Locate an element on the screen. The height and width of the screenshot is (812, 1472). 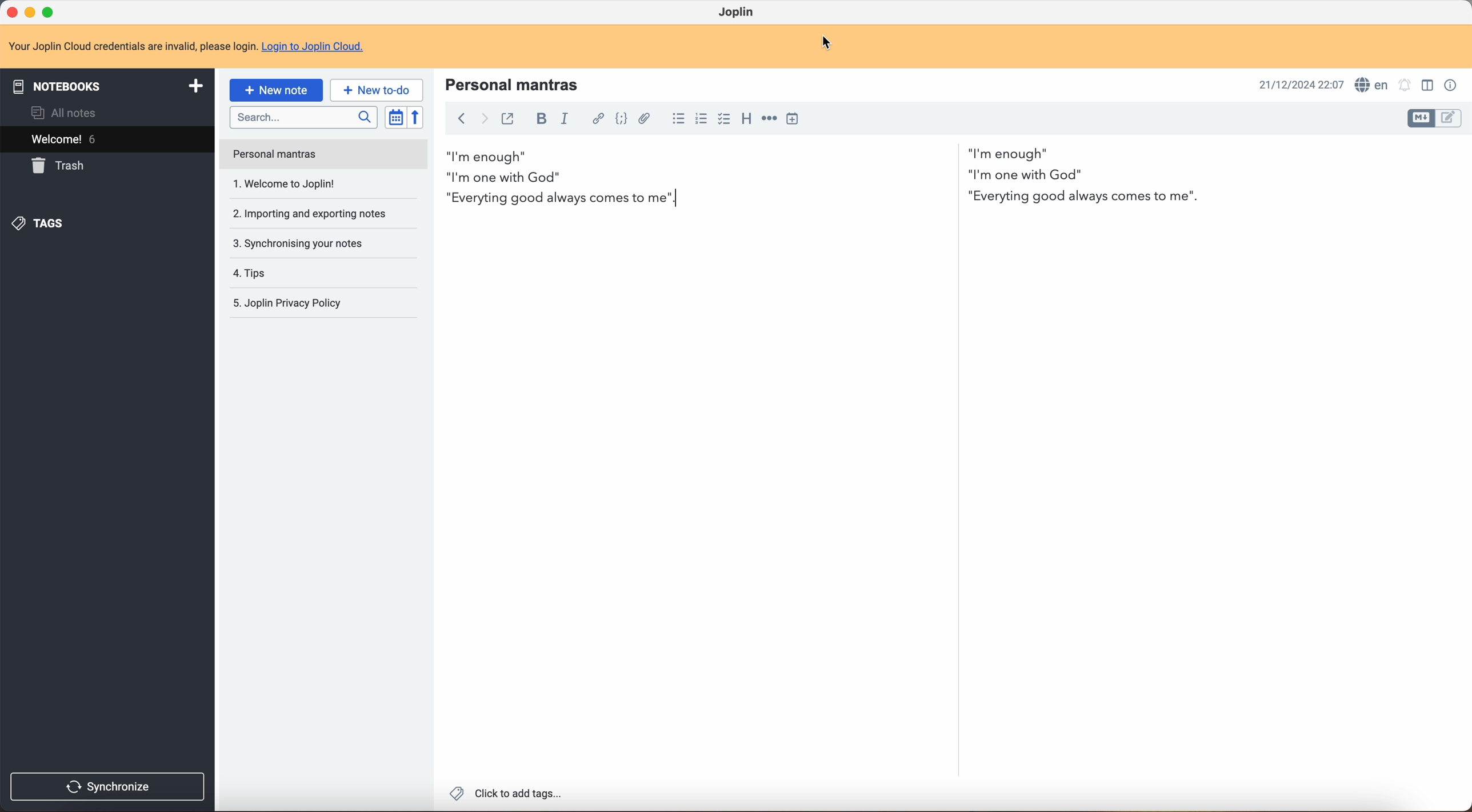
importing and exporting notes is located at coordinates (309, 183).